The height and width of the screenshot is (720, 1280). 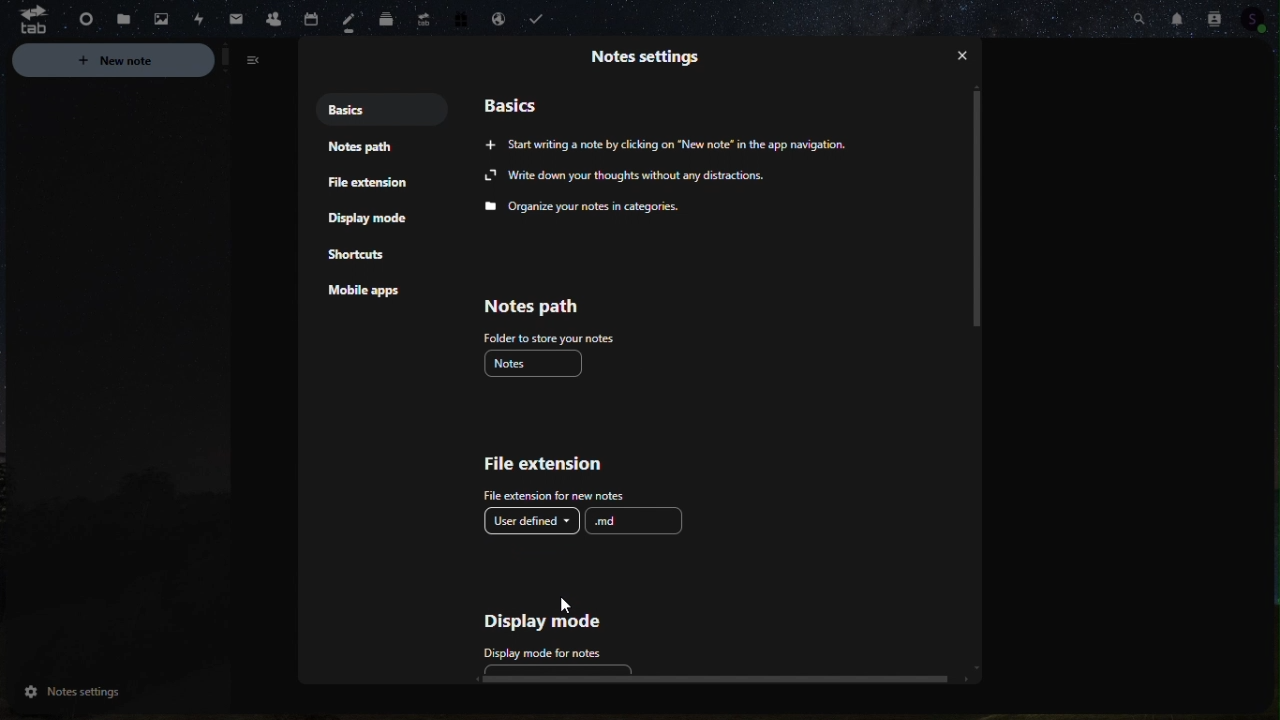 I want to click on email handling, so click(x=494, y=17).